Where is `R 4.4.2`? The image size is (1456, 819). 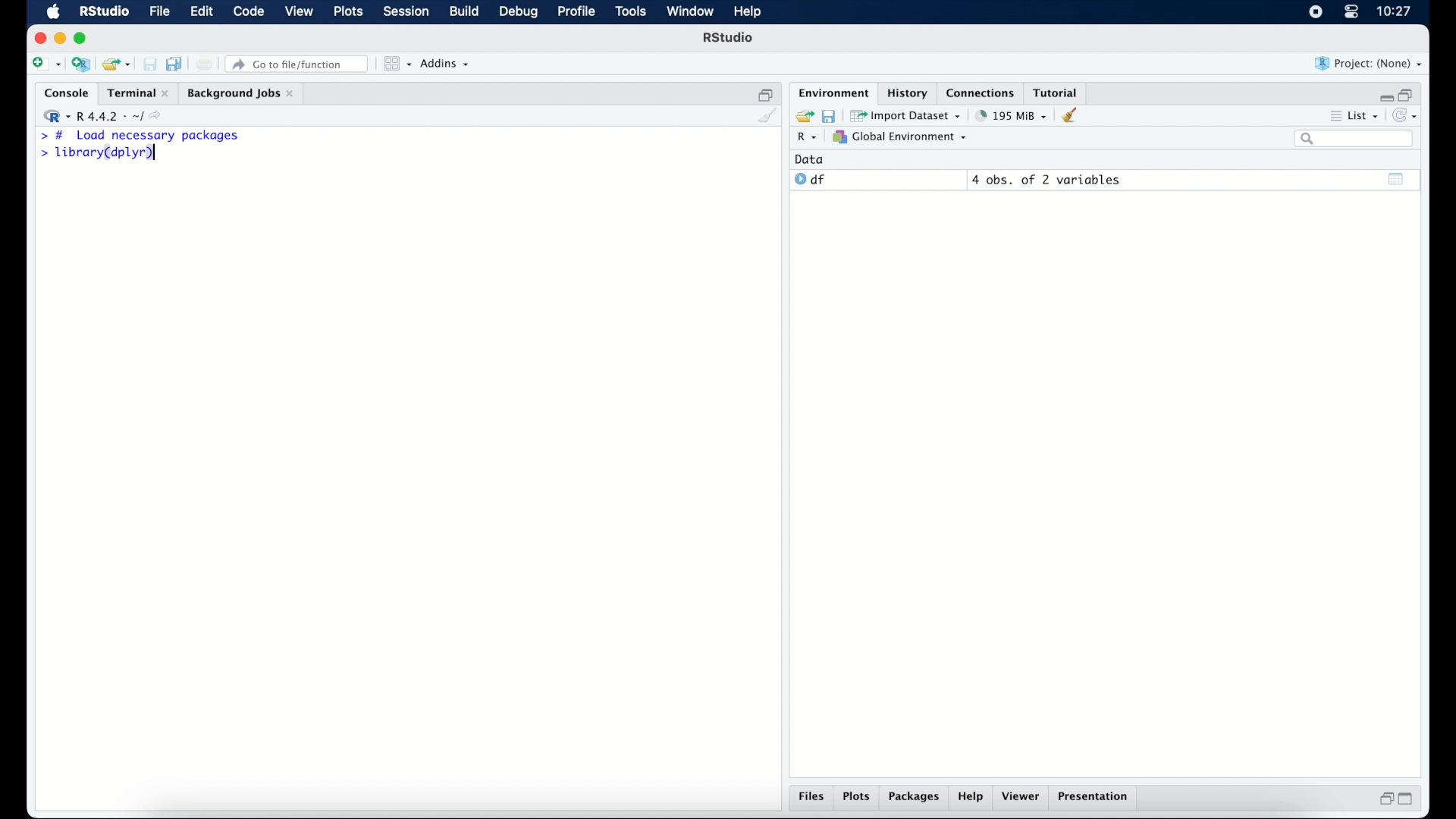 R 4.4.2 is located at coordinates (106, 117).